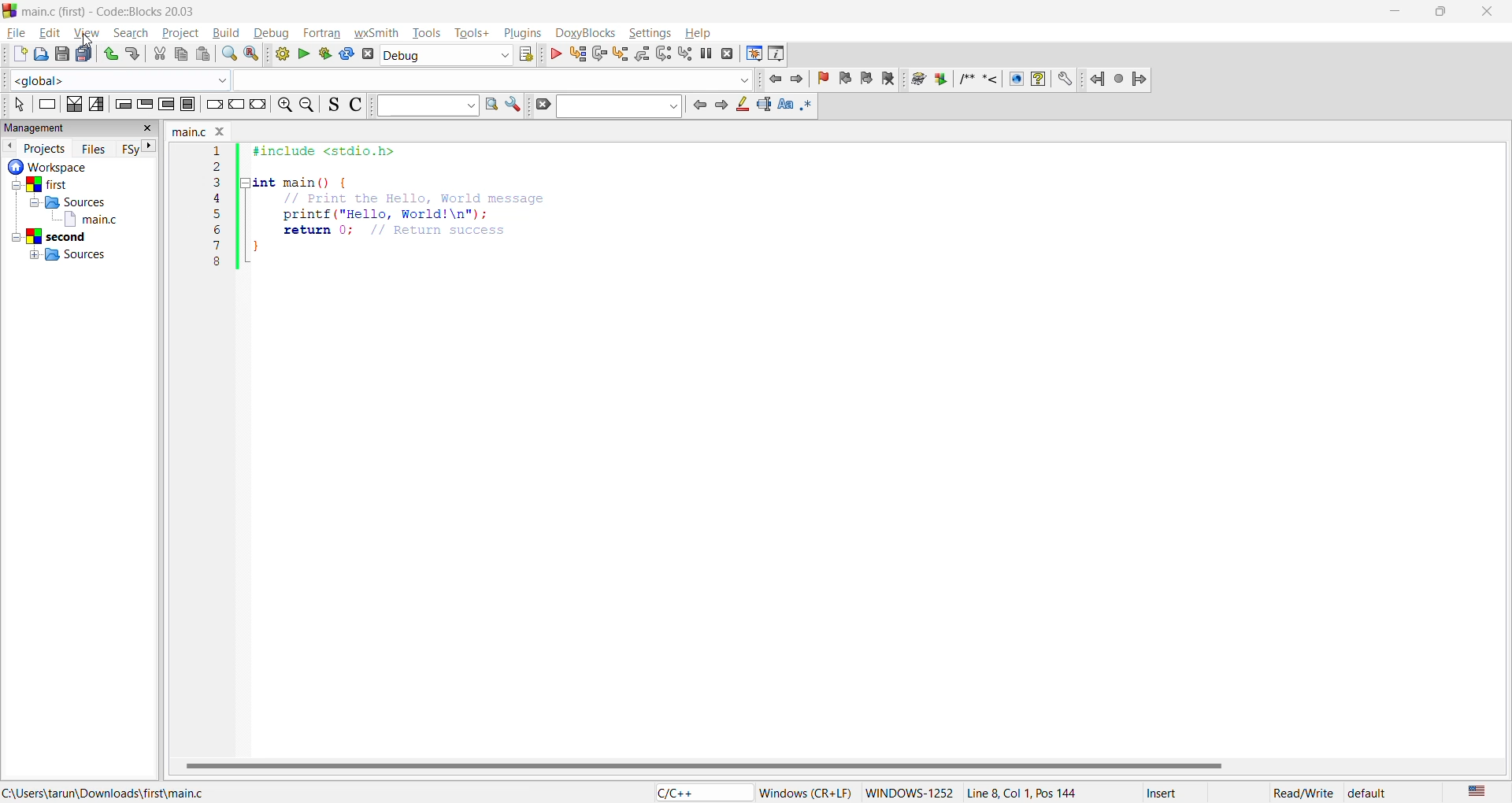 The image size is (1512, 803). Describe the element at coordinates (98, 105) in the screenshot. I see `selection` at that location.